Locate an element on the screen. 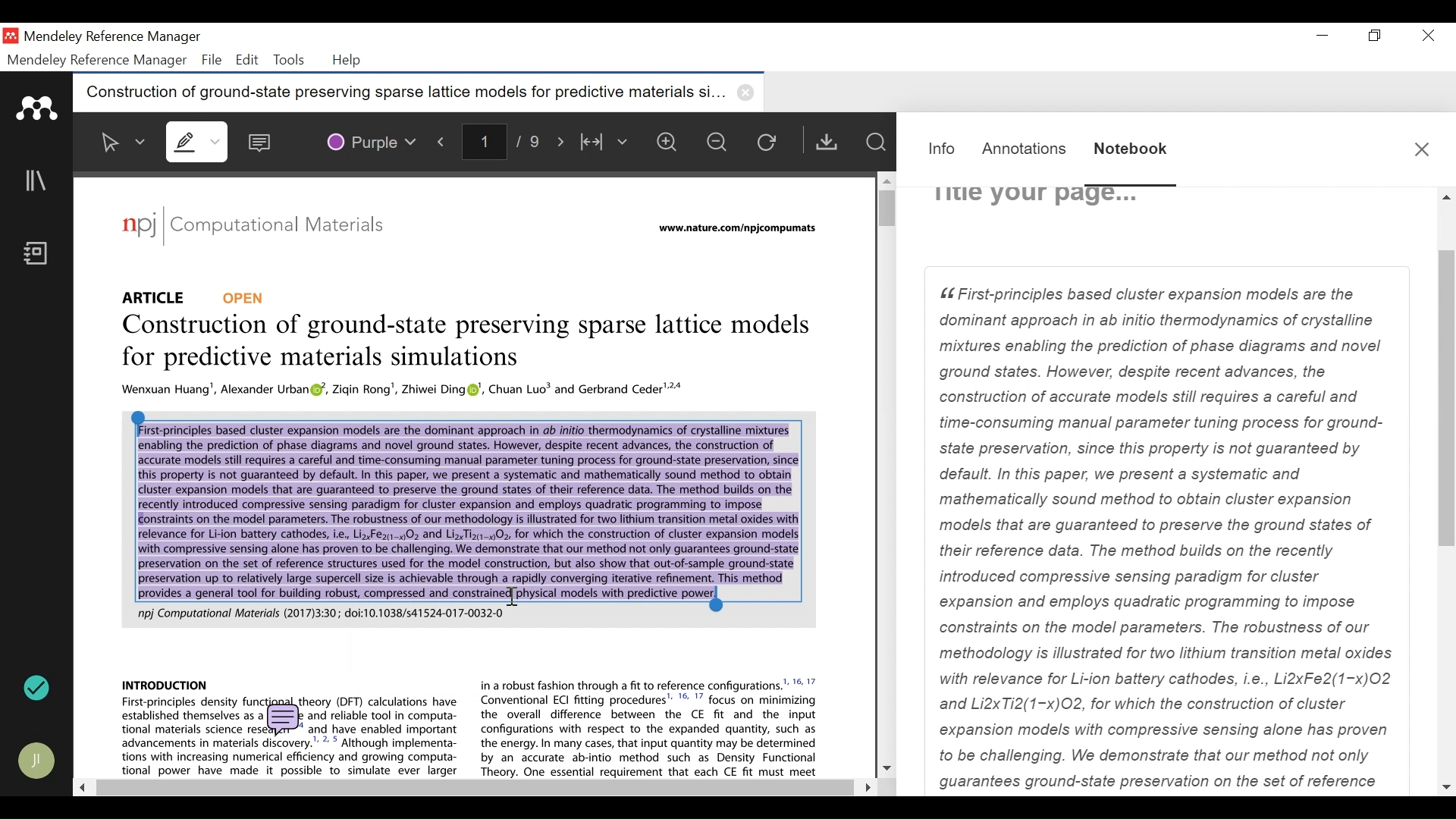  Zoom out is located at coordinates (718, 141).